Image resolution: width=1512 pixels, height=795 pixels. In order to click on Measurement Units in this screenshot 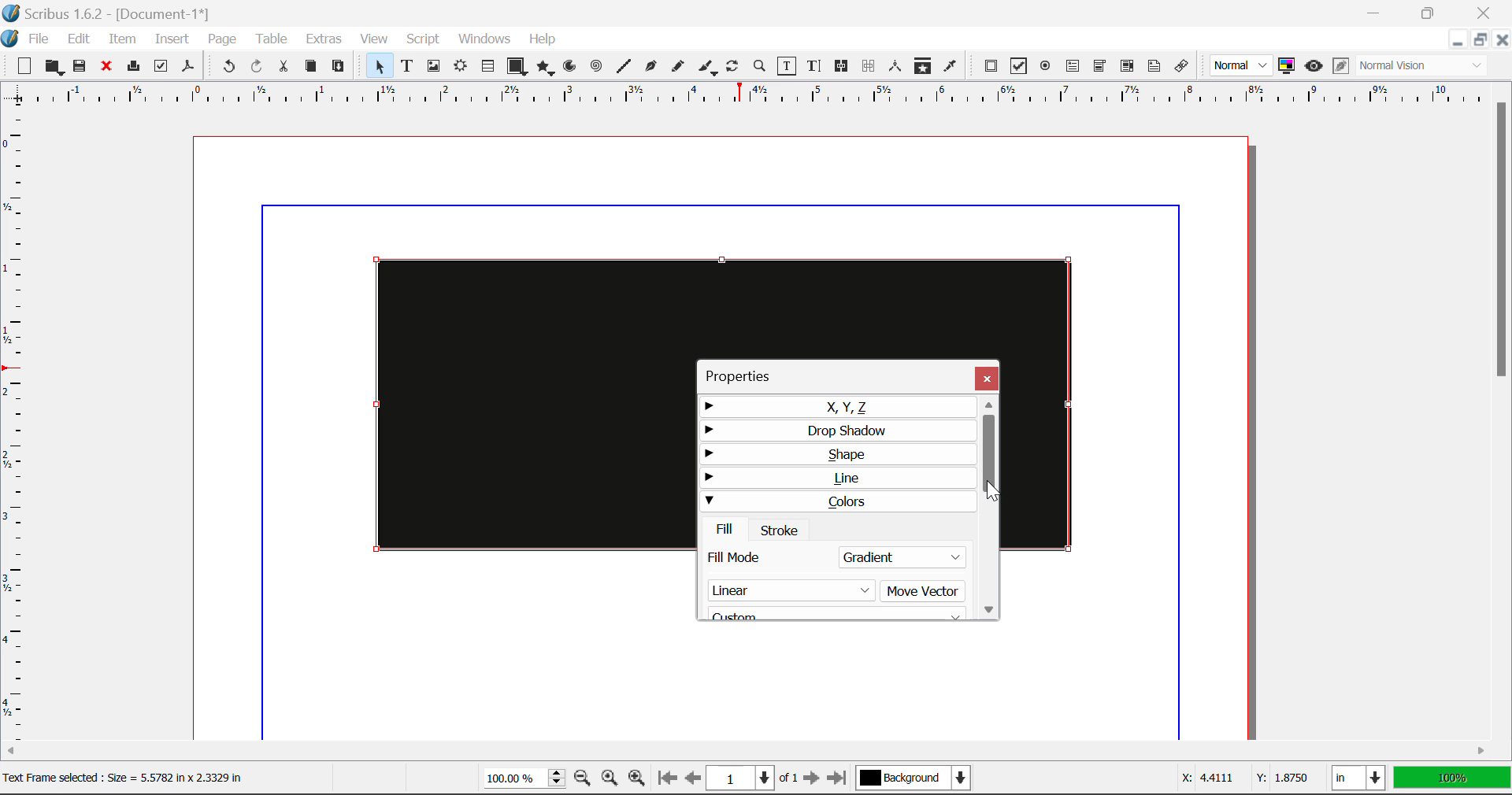, I will do `click(1360, 780)`.